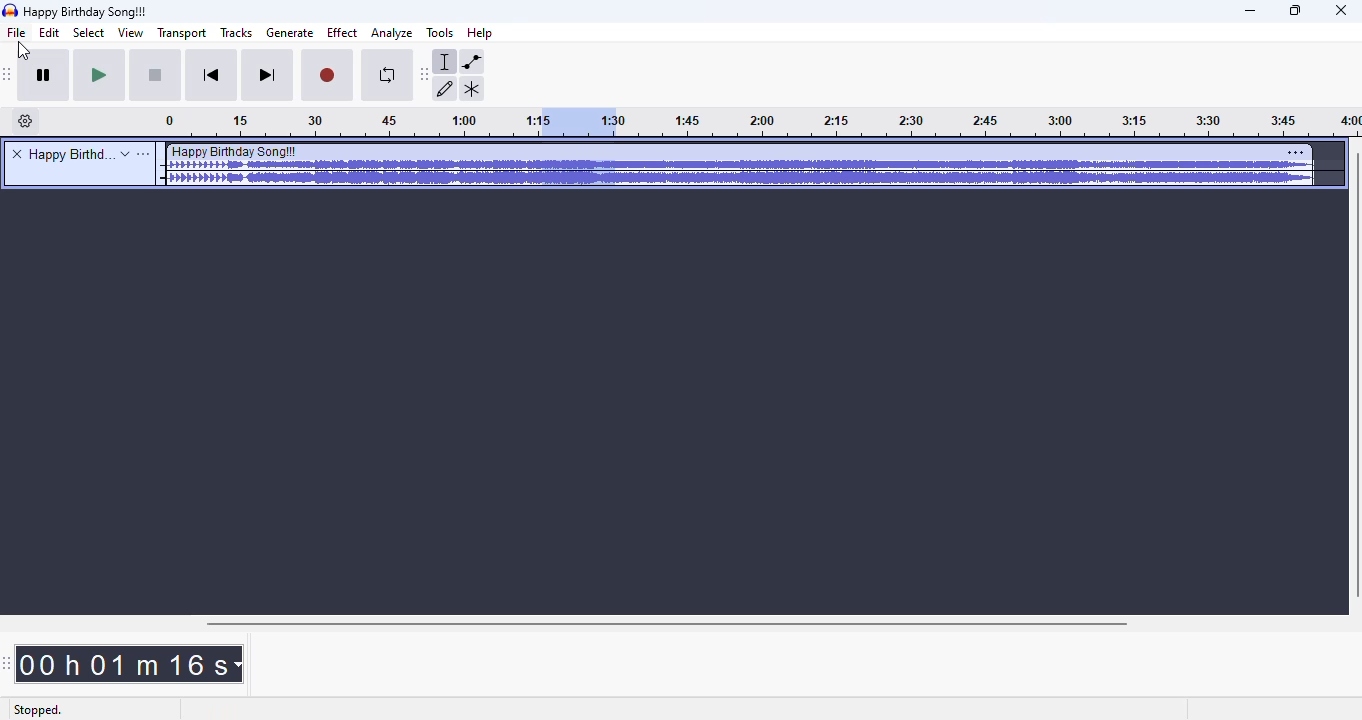 Image resolution: width=1362 pixels, height=720 pixels. I want to click on close, so click(1341, 11).